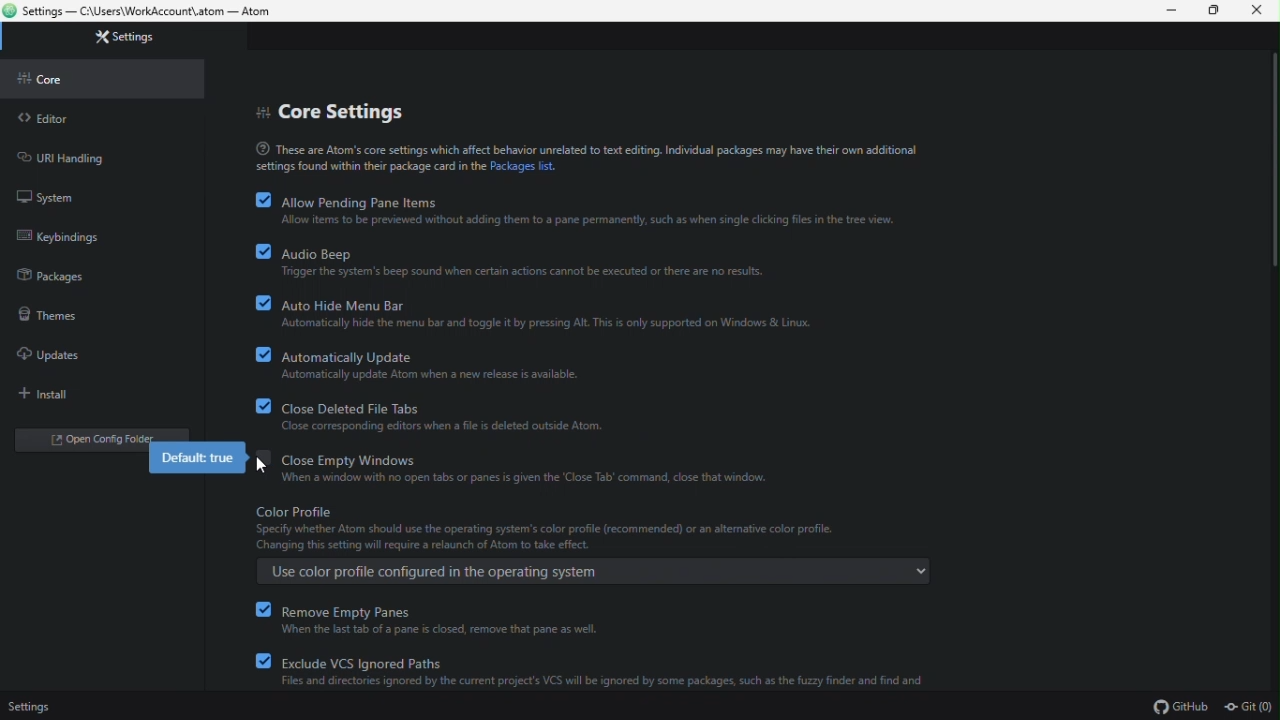  I want to click on checkbox, so click(262, 637).